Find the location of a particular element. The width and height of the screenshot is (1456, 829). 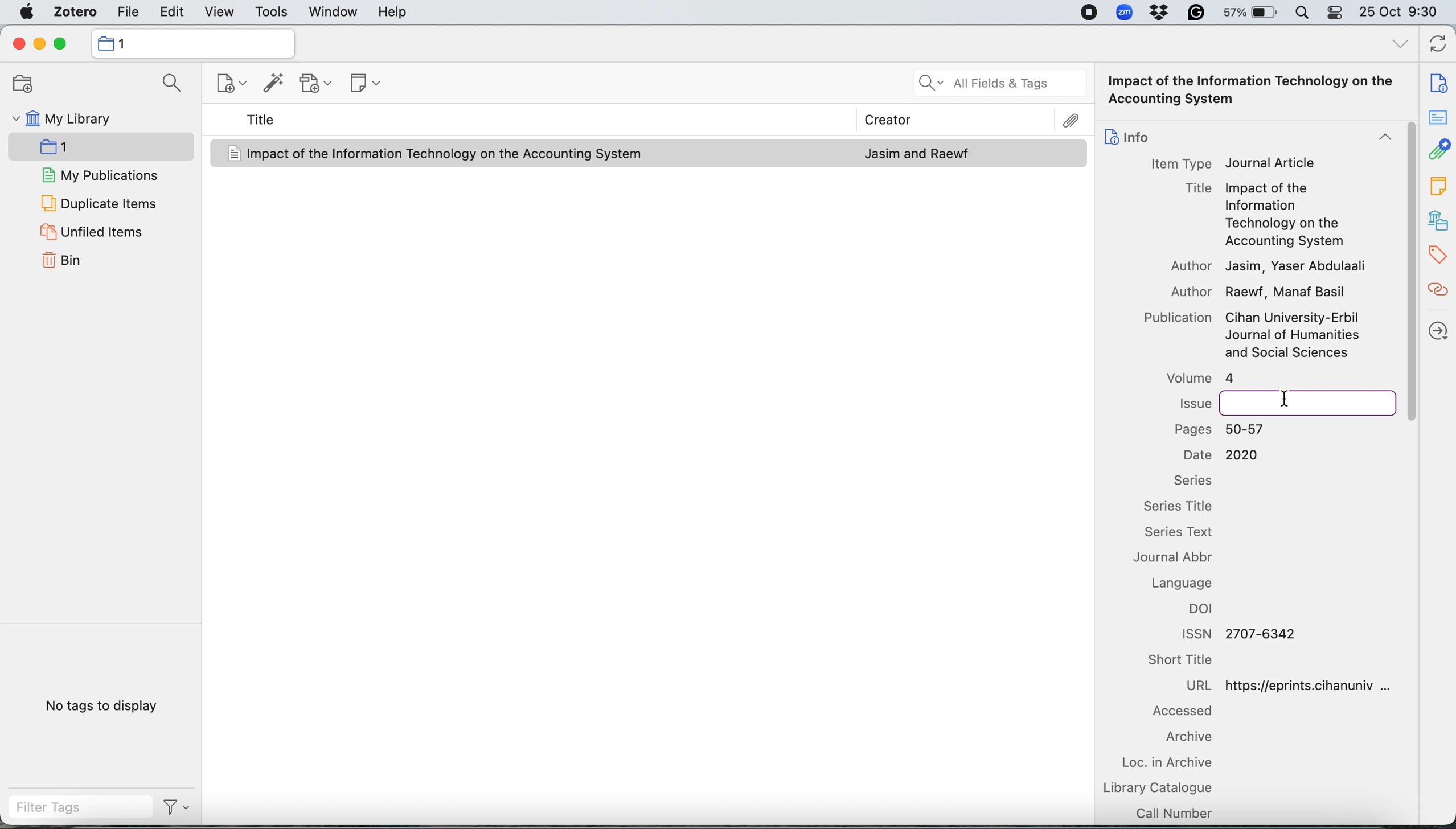

doi is located at coordinates (1206, 611).